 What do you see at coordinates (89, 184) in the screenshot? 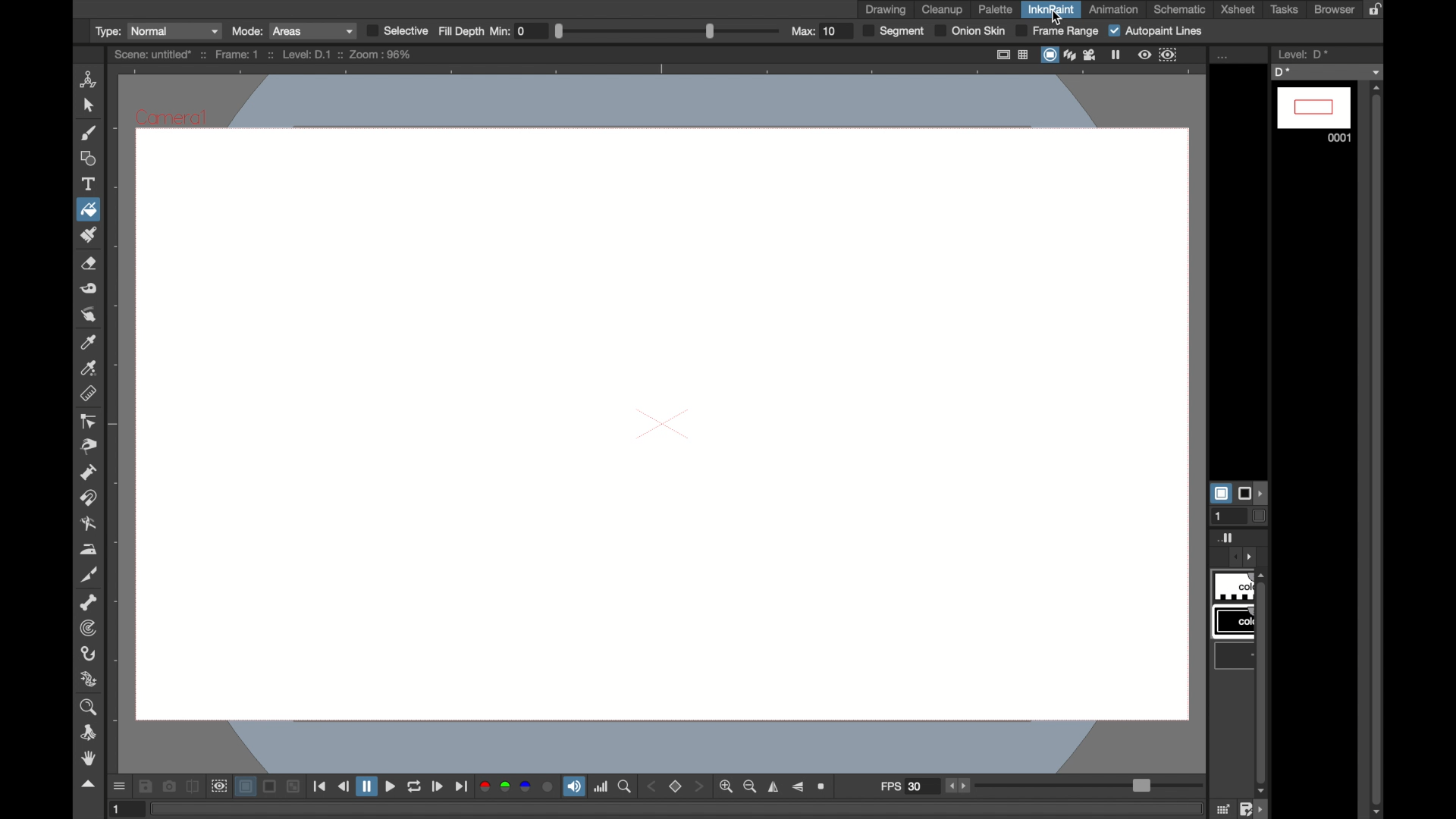
I see `type tool` at bounding box center [89, 184].